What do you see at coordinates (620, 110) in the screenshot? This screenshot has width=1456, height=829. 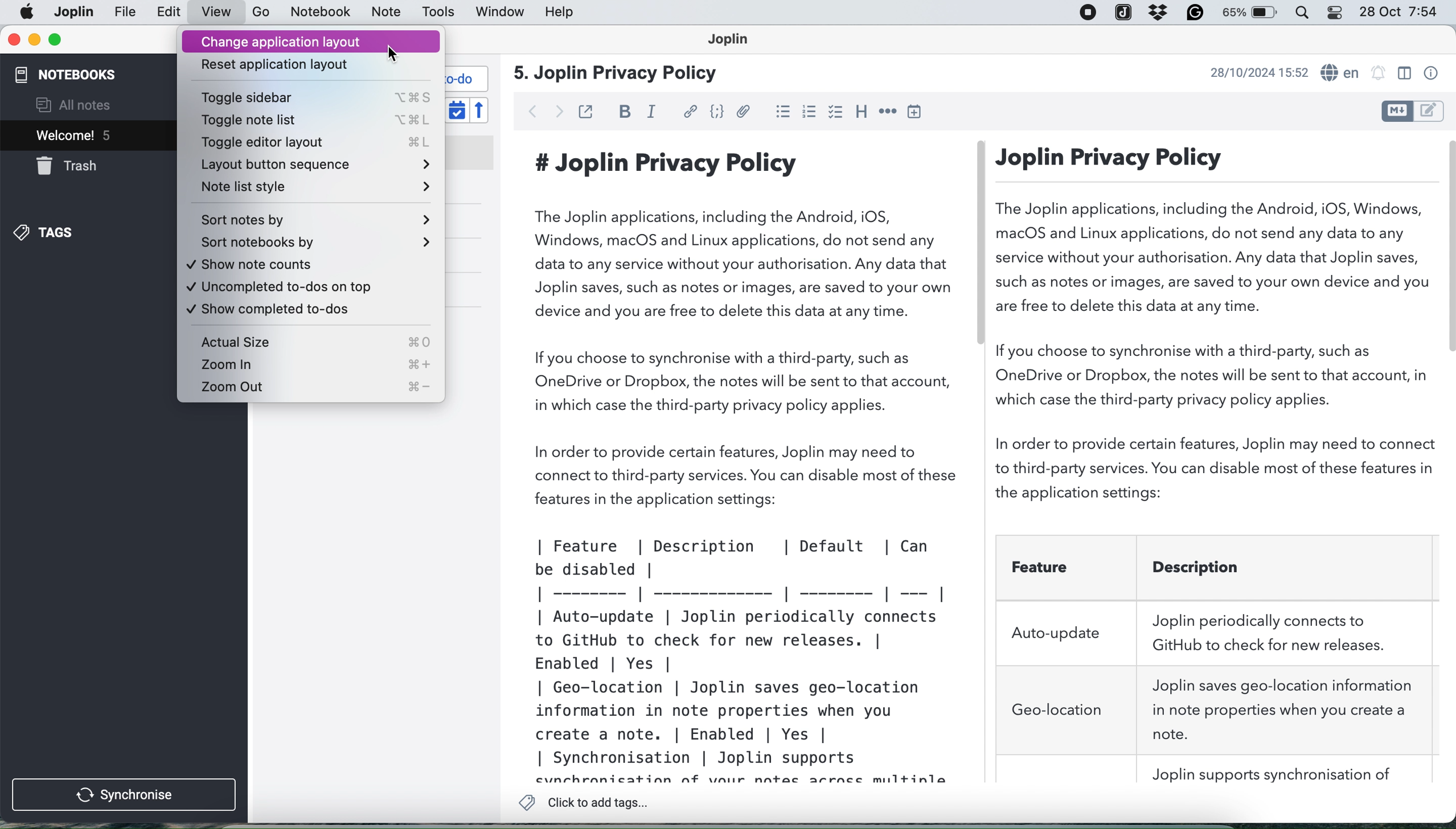 I see `bold` at bounding box center [620, 110].